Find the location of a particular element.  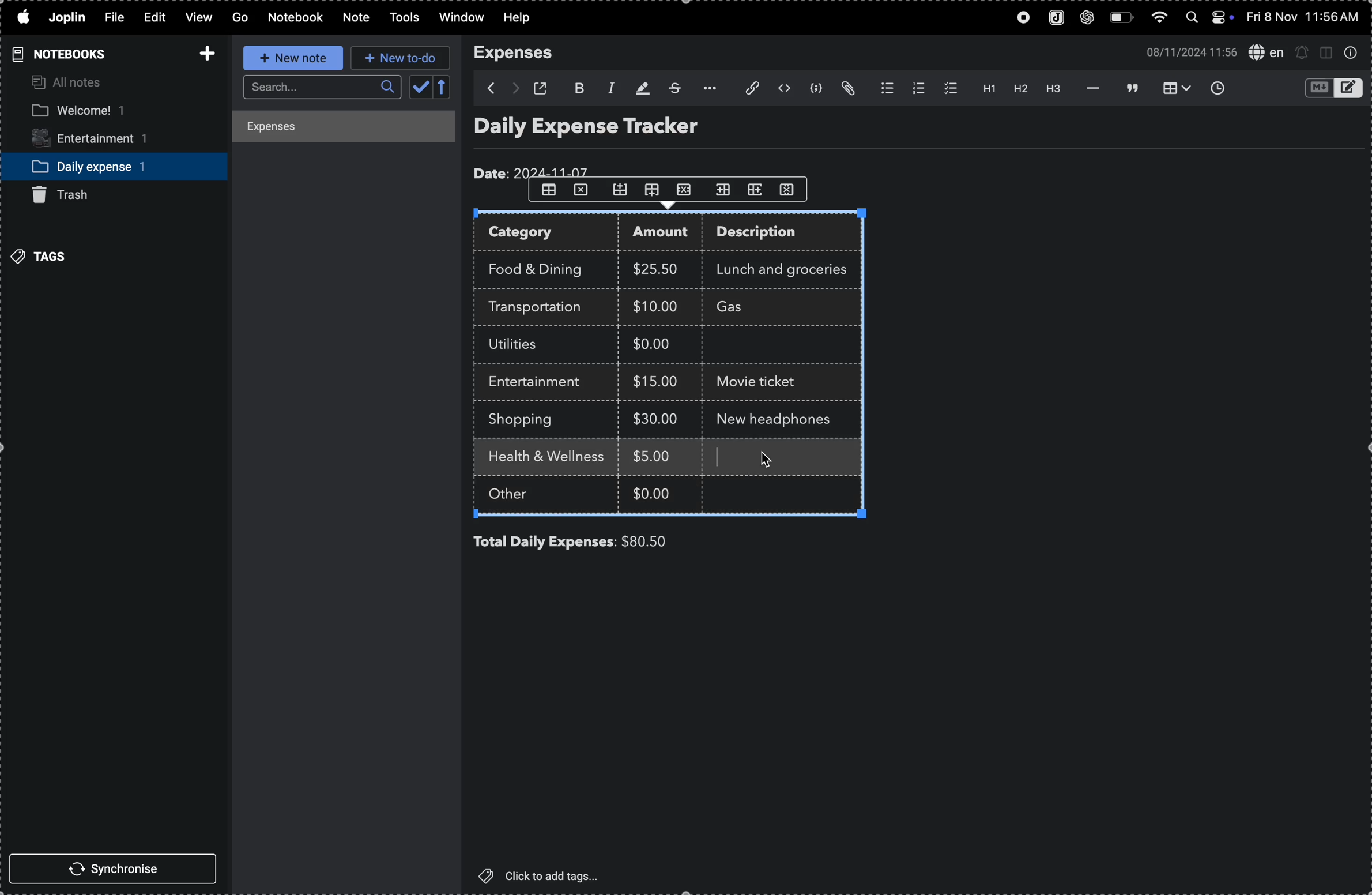

edit is located at coordinates (149, 16).